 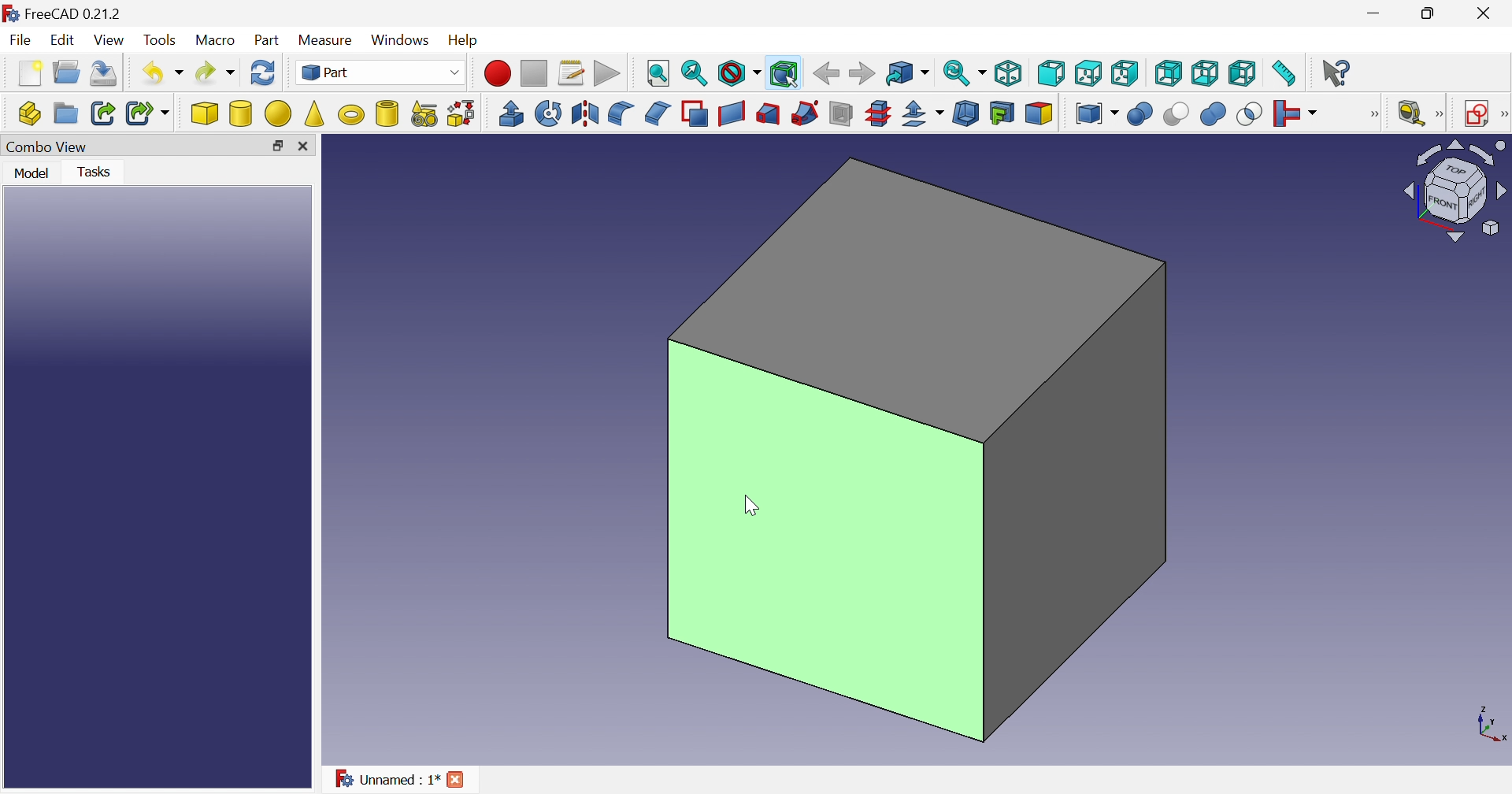 I want to click on Create primitives..., so click(x=424, y=114).